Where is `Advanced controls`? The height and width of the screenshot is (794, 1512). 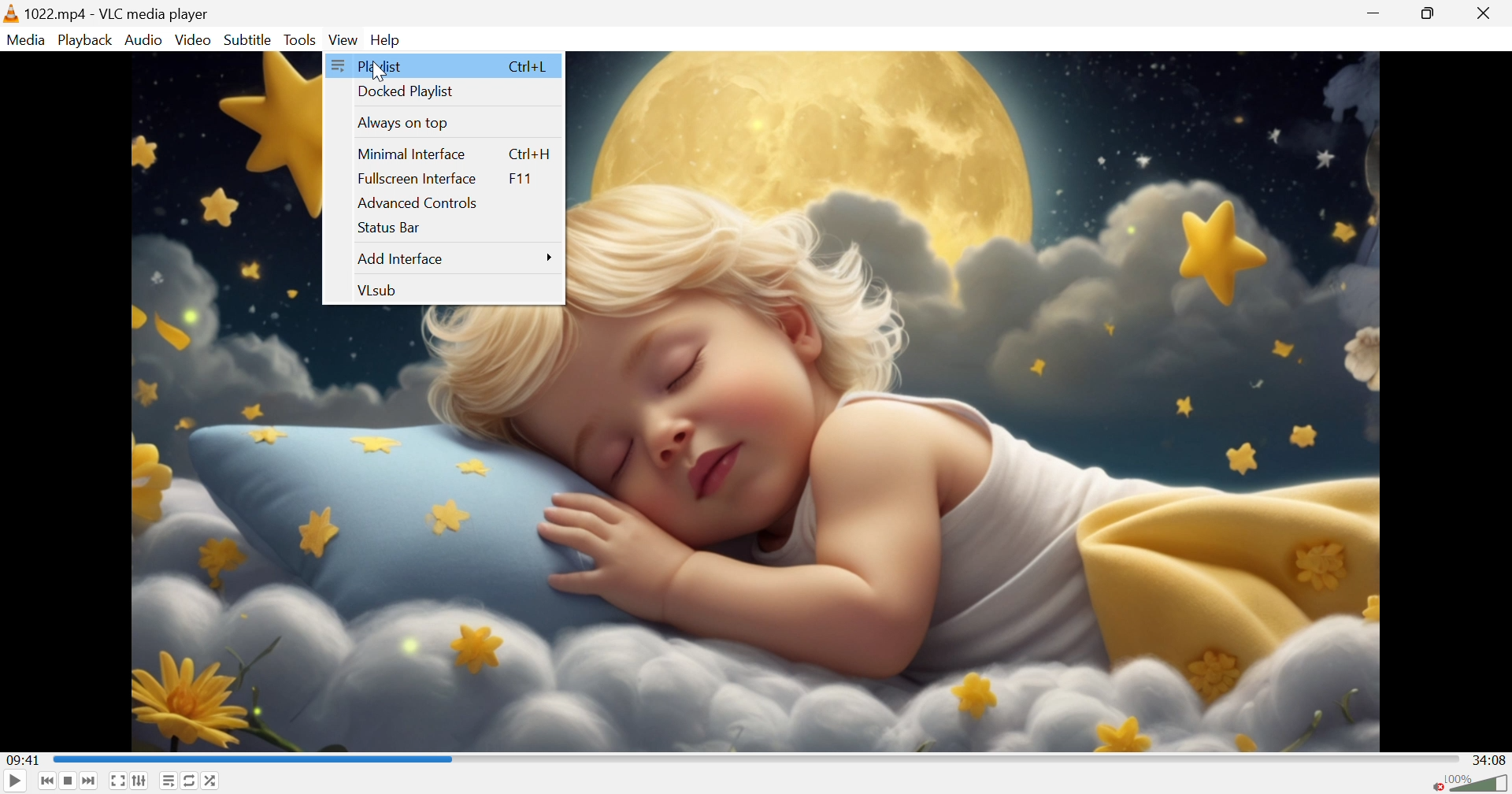
Advanced controls is located at coordinates (421, 204).